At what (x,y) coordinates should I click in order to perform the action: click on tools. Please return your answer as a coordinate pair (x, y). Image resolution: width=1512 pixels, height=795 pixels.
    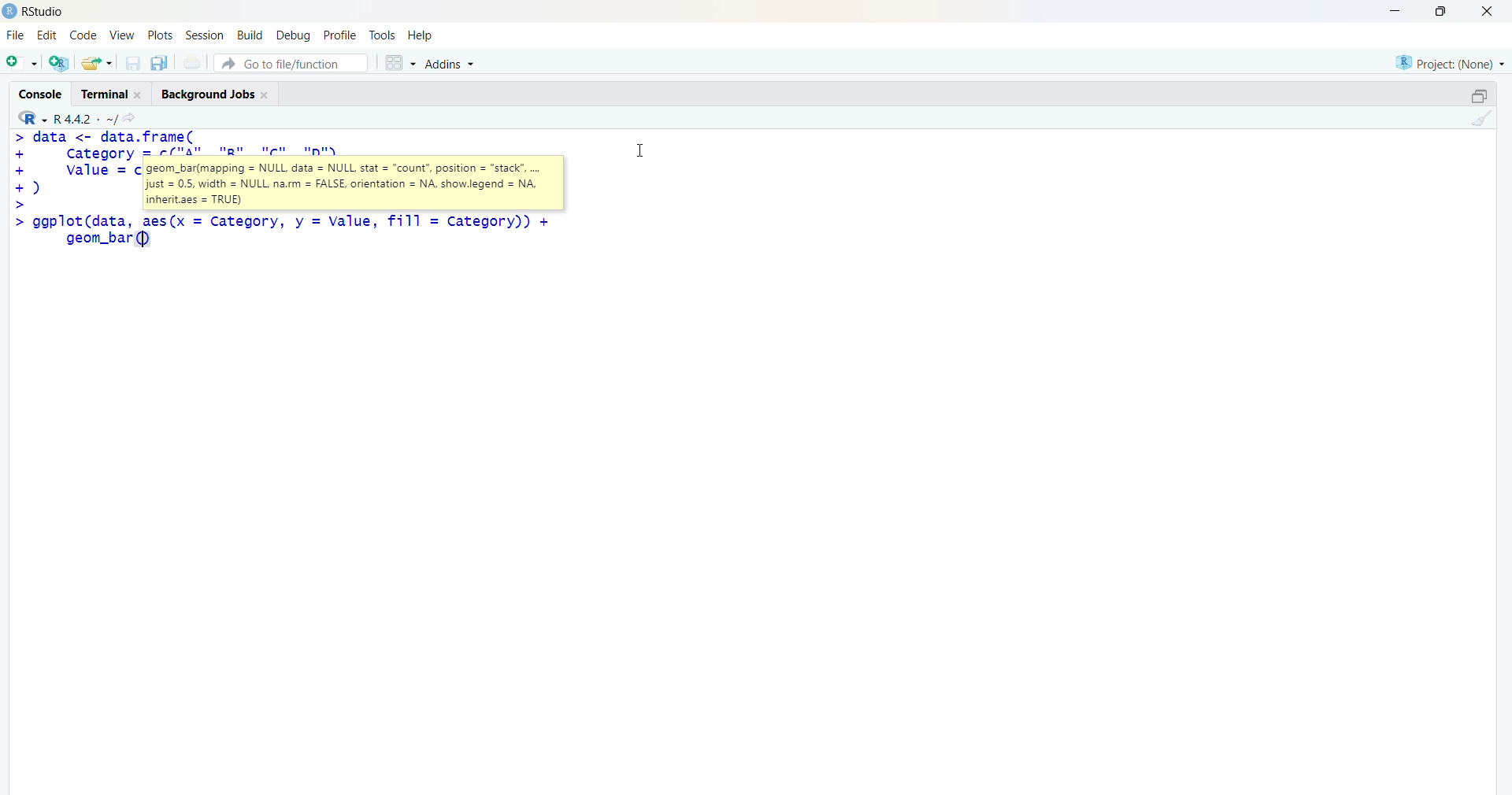
    Looking at the image, I should click on (384, 35).